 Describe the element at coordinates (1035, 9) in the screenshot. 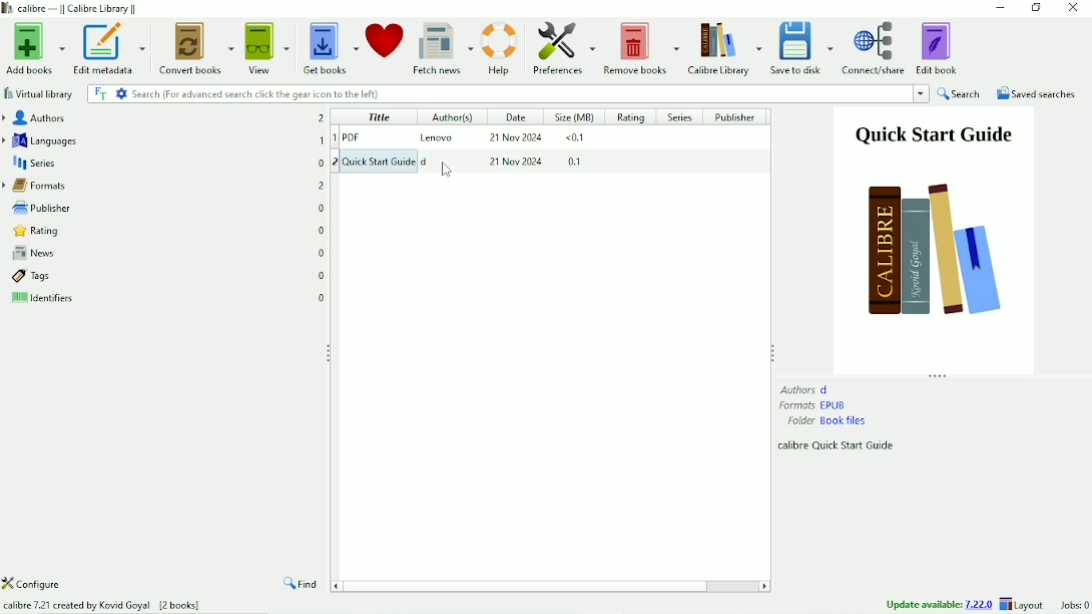

I see `Restore down` at that location.